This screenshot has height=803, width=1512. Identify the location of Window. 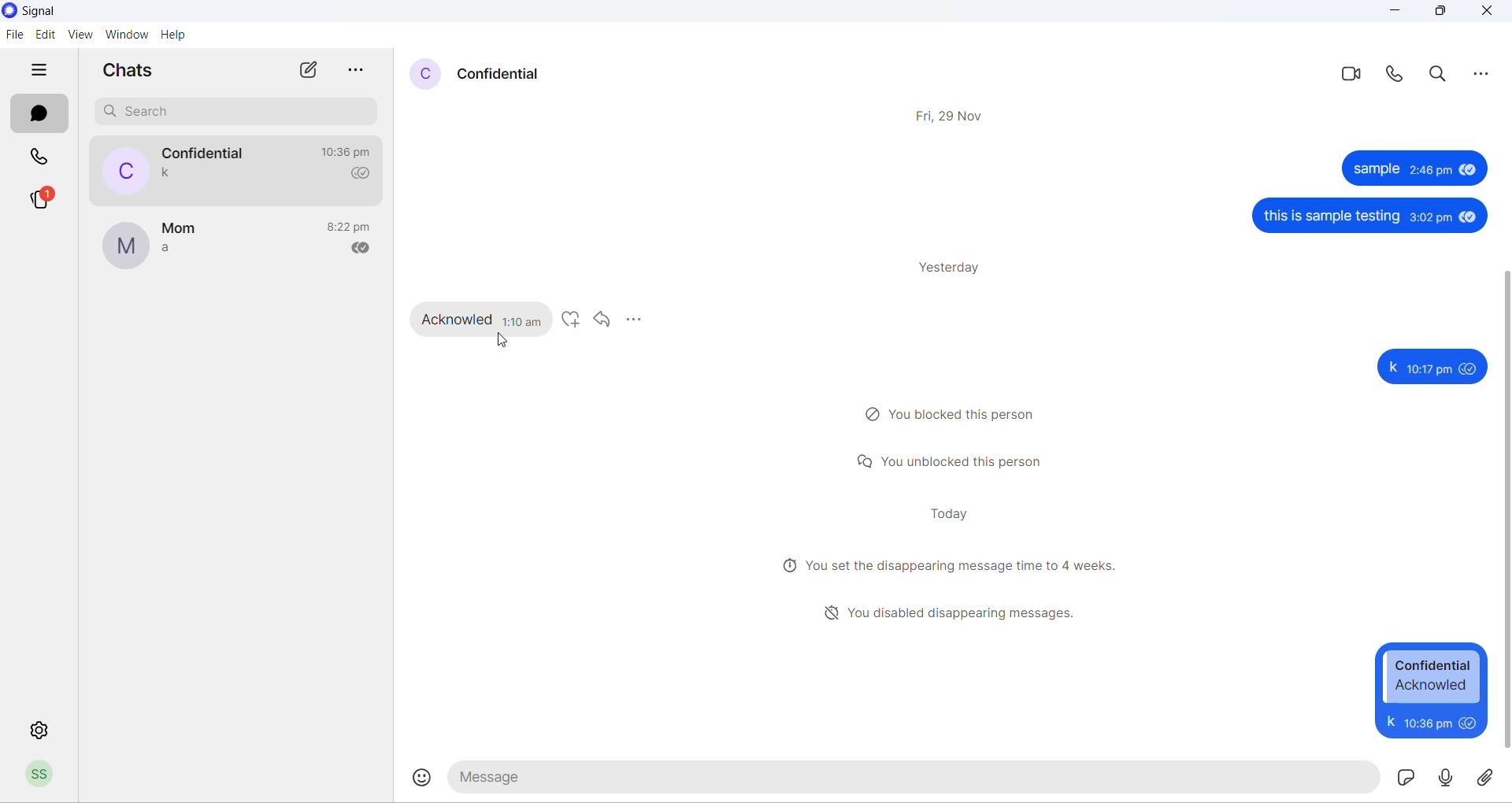
(126, 35).